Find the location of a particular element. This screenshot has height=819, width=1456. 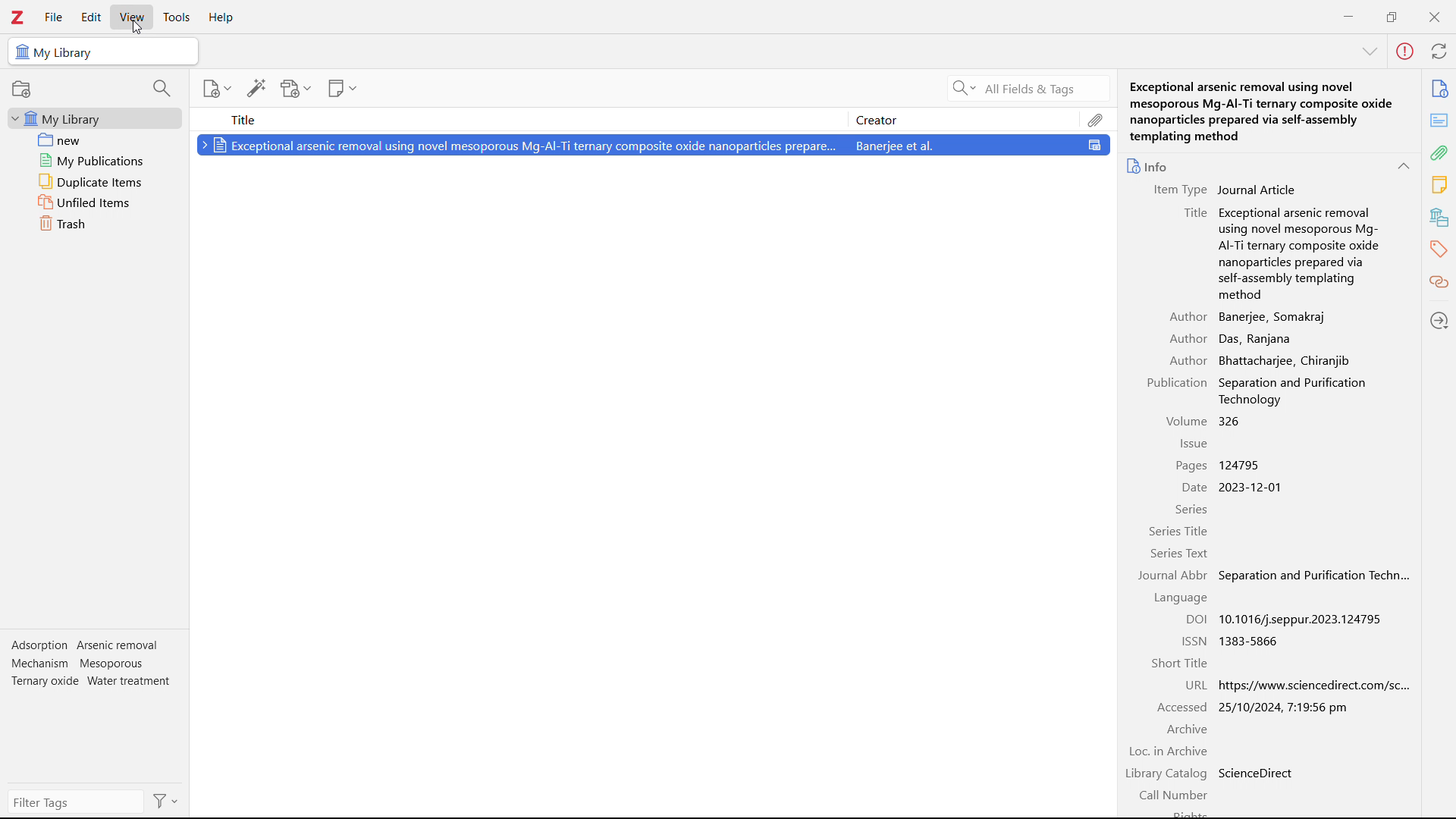

logo is located at coordinates (18, 17).